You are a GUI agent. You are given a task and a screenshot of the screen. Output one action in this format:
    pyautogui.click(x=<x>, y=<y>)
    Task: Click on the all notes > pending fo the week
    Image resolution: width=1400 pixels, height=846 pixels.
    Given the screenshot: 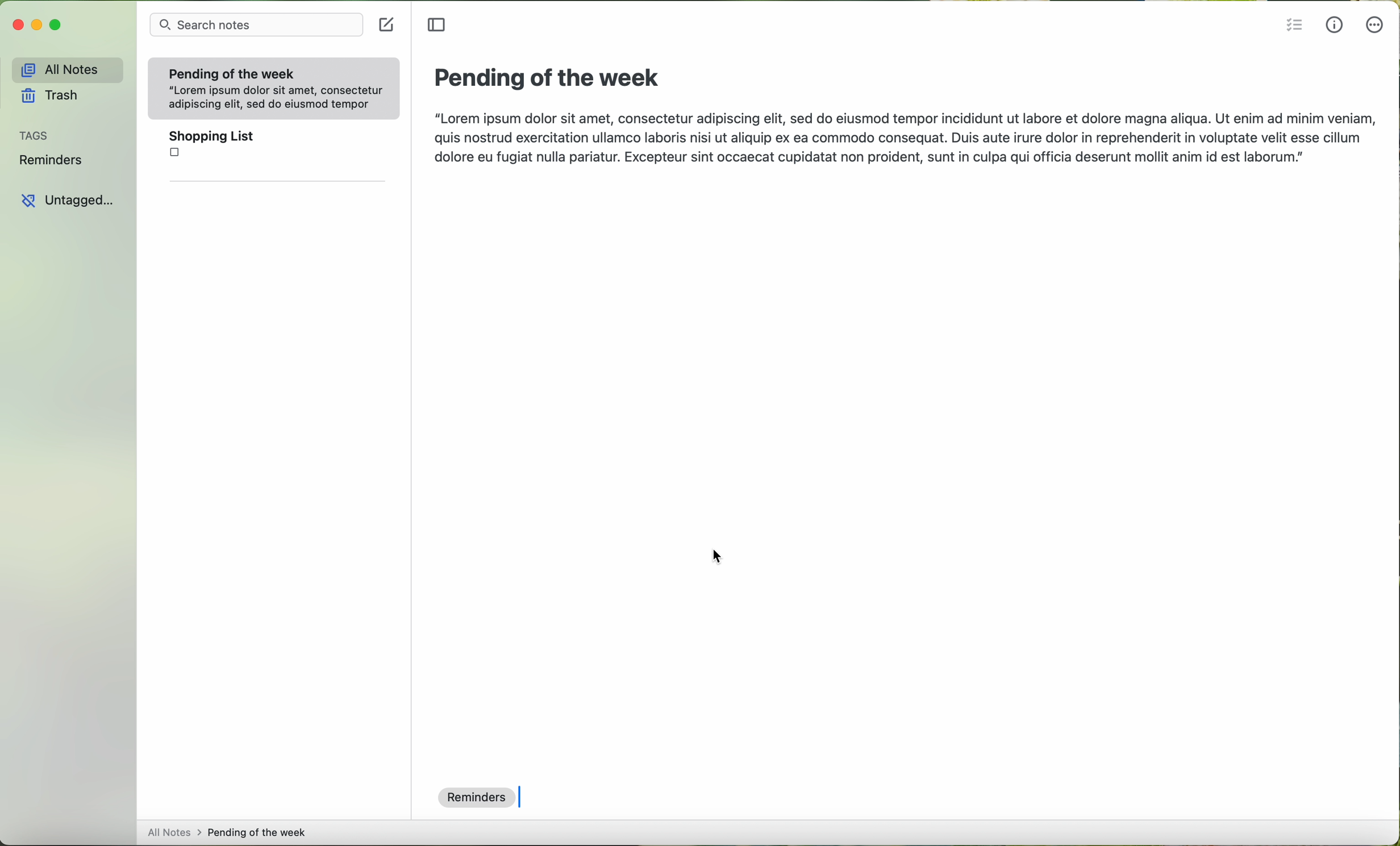 What is the action you would take?
    pyautogui.click(x=229, y=830)
    